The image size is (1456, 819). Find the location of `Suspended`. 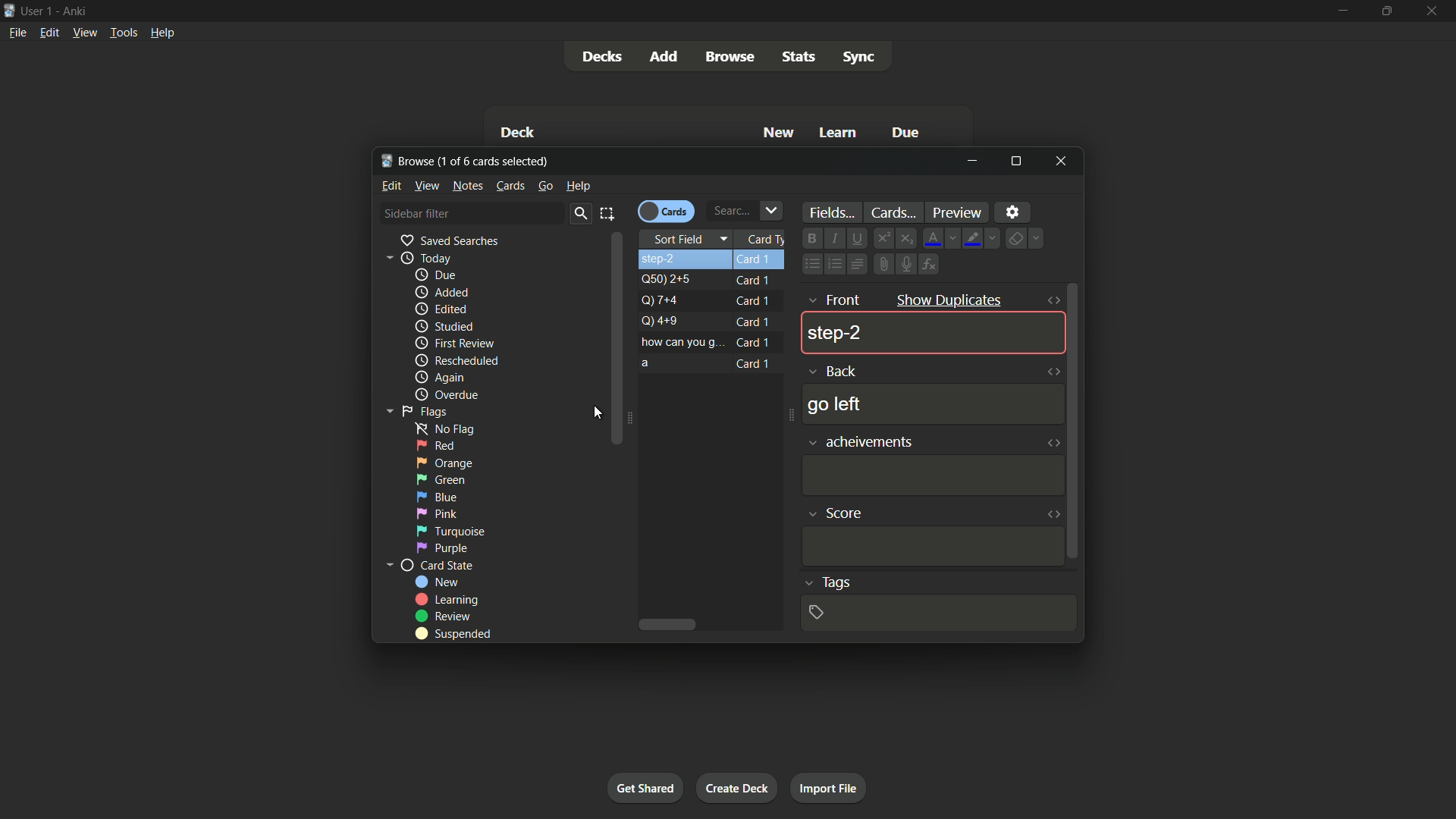

Suspended is located at coordinates (453, 635).